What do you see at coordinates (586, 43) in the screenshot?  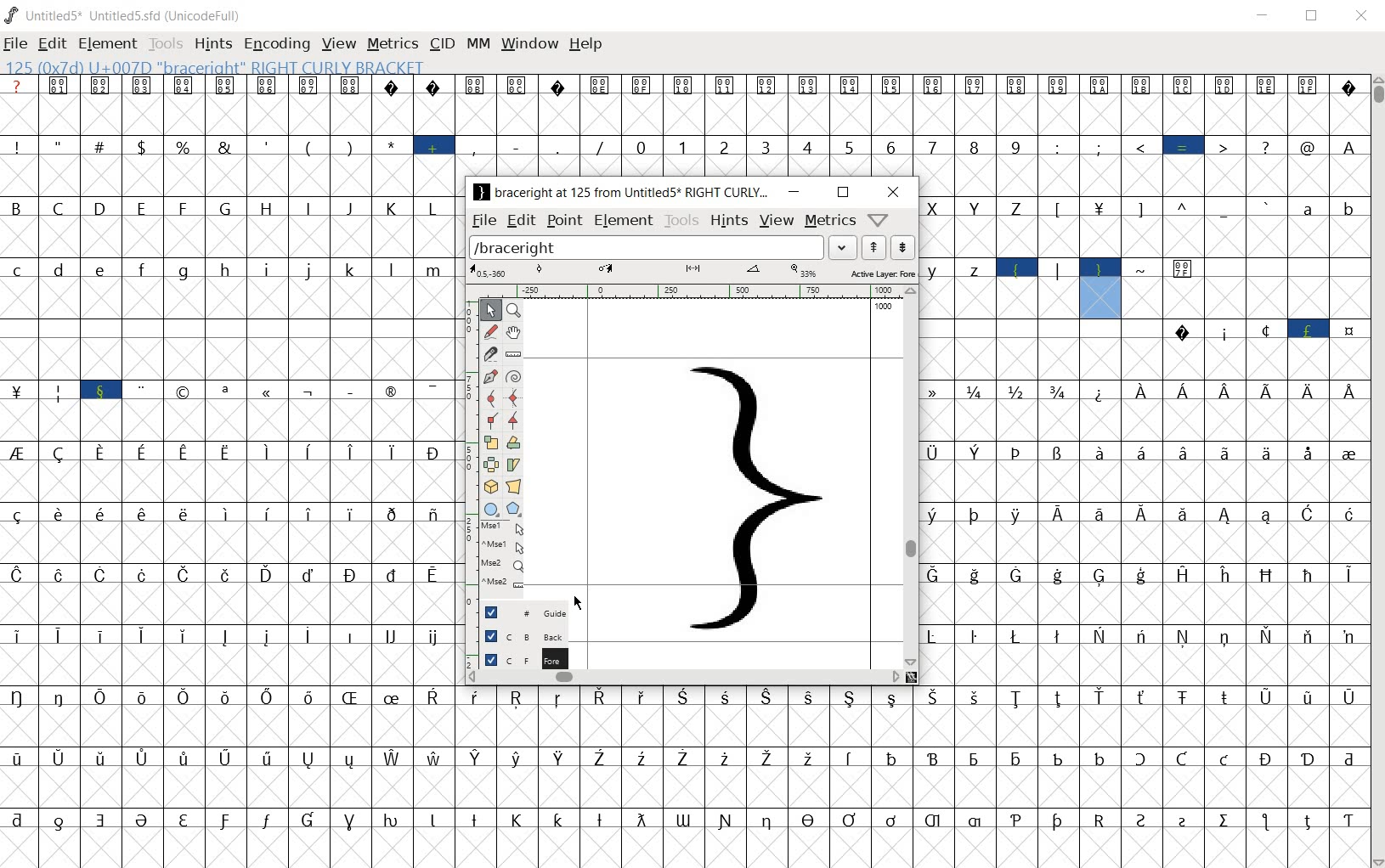 I see `HELP` at bounding box center [586, 43].